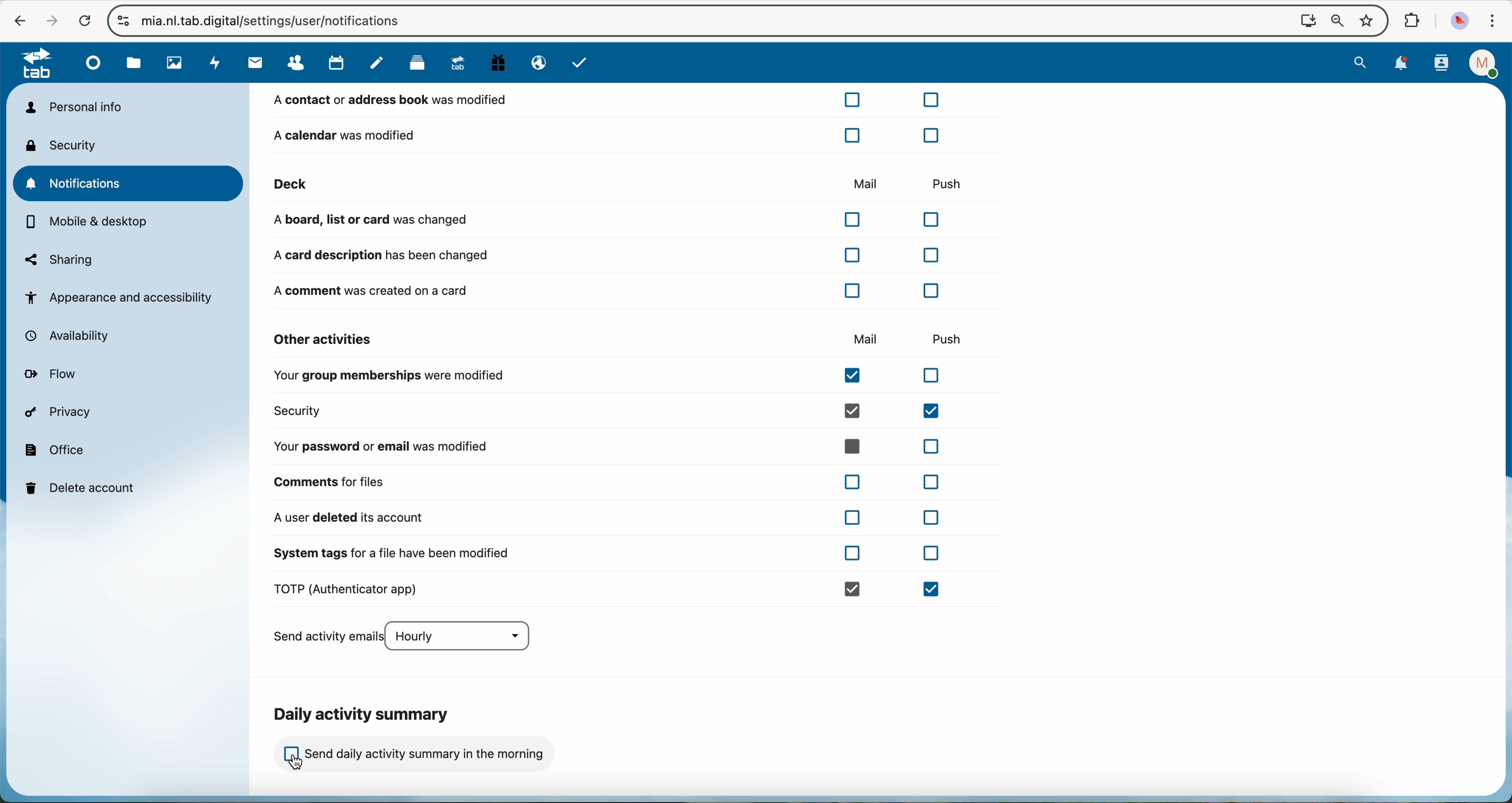  I want to click on email, so click(536, 63).